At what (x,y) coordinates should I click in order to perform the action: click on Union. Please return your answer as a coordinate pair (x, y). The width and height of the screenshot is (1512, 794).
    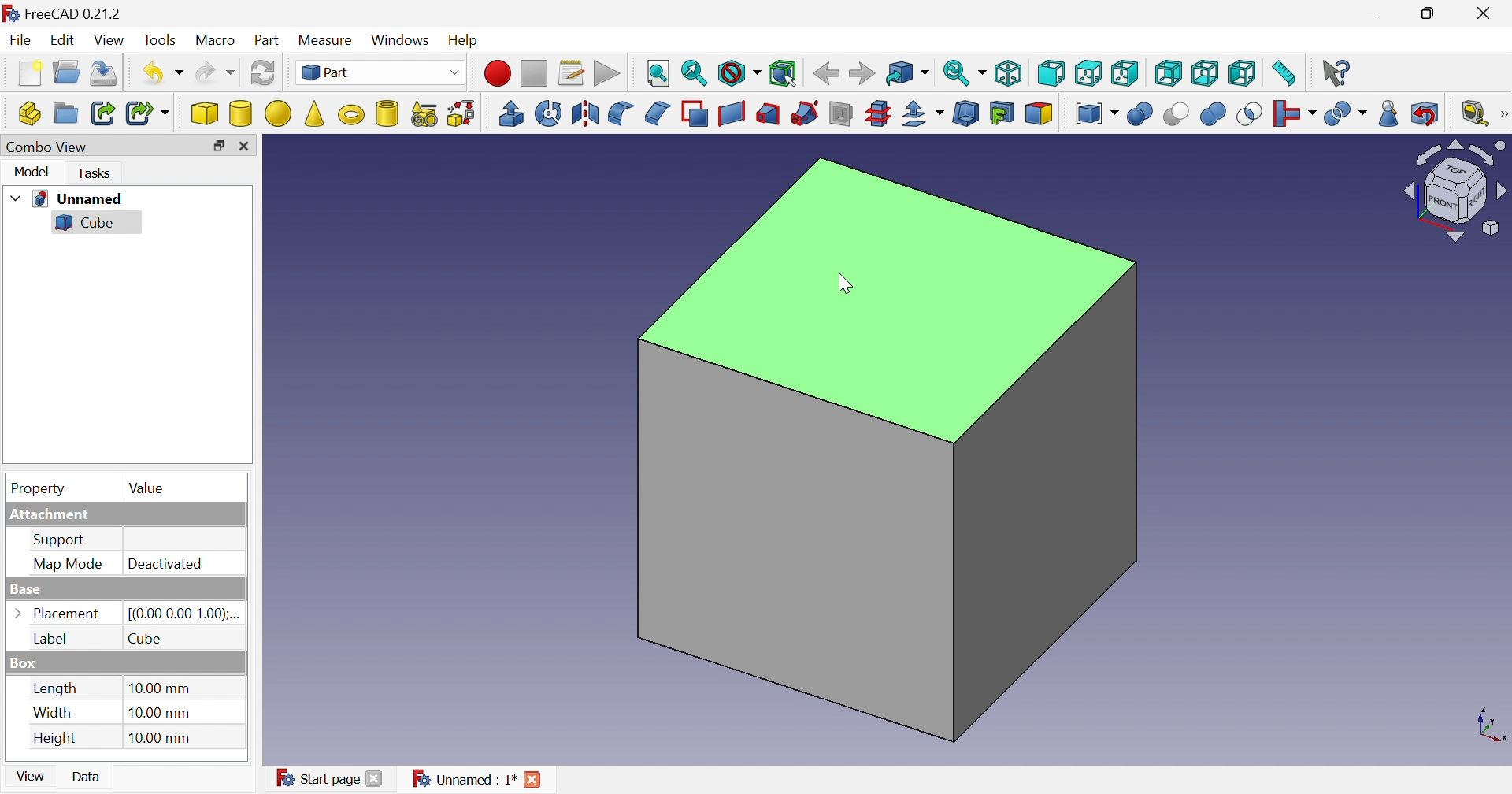
    Looking at the image, I should click on (1215, 113).